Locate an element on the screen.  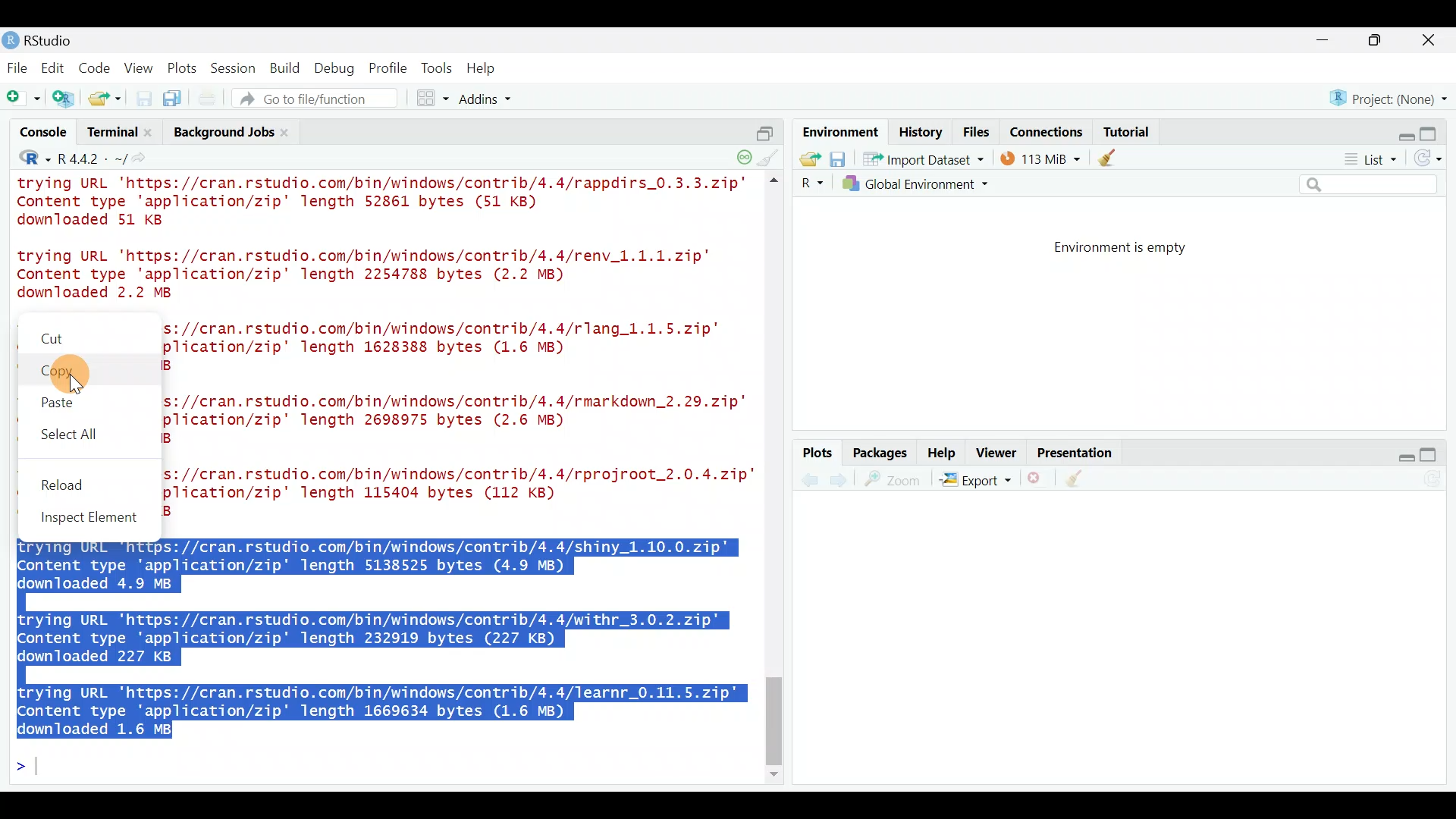
minimize is located at coordinates (1330, 41).